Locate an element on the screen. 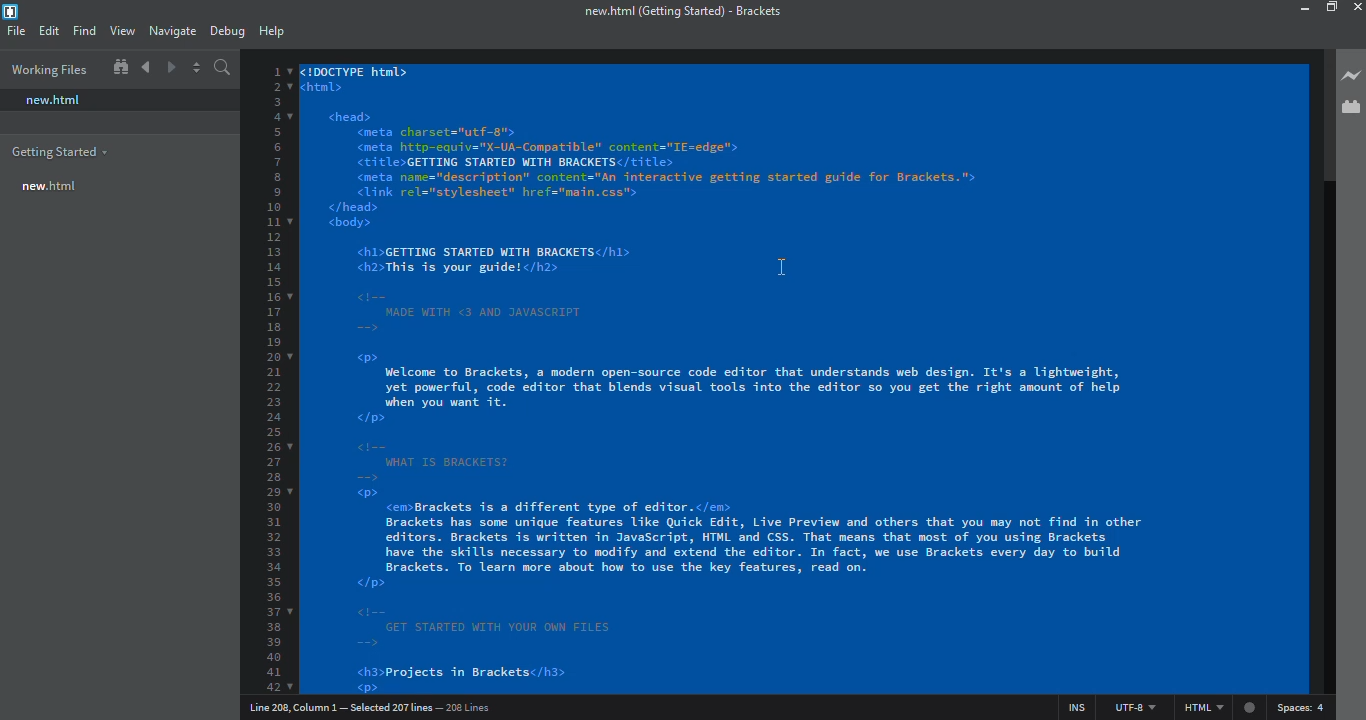 This screenshot has height=720, width=1366. find is located at coordinates (87, 31).